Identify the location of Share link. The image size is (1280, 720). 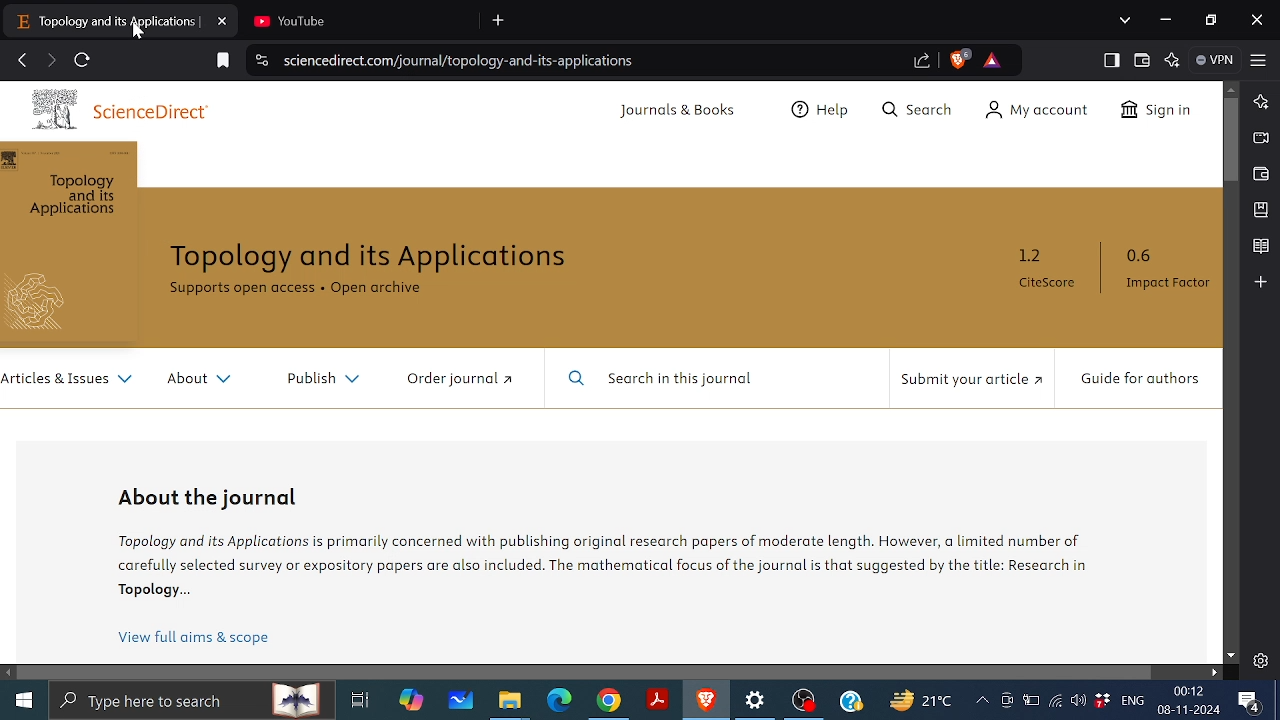
(923, 62).